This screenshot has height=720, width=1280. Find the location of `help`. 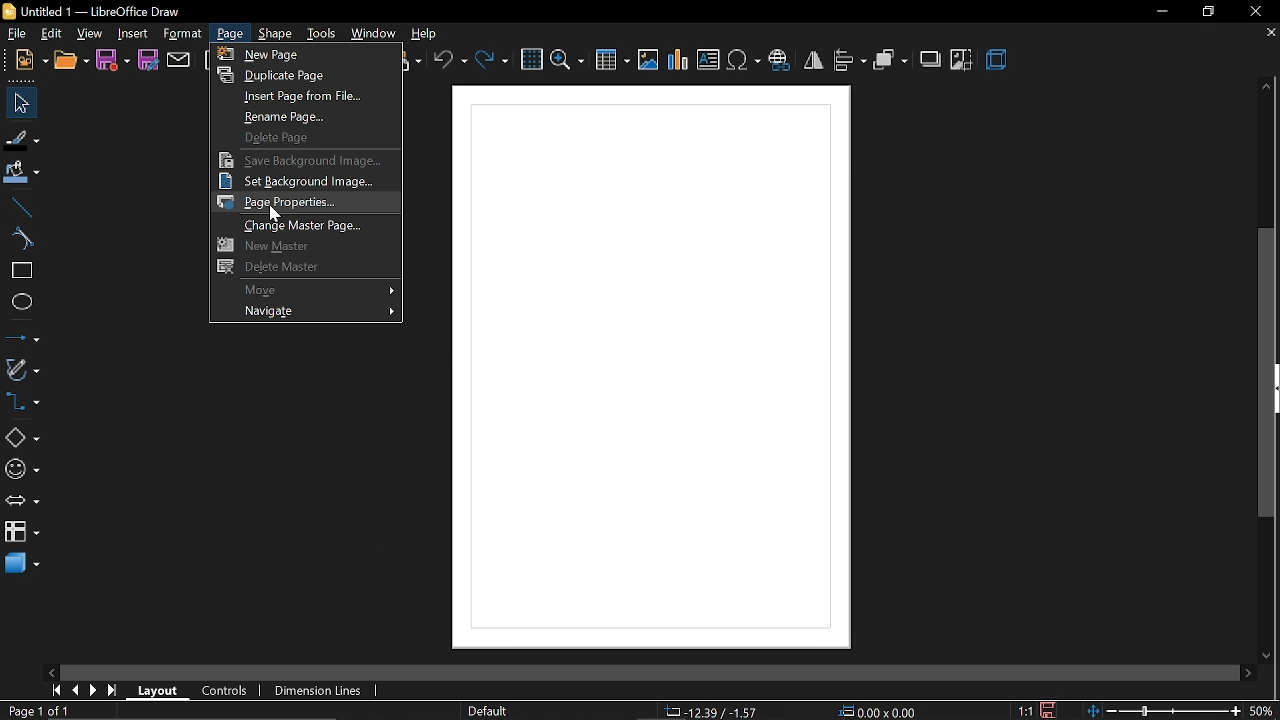

help is located at coordinates (427, 34).